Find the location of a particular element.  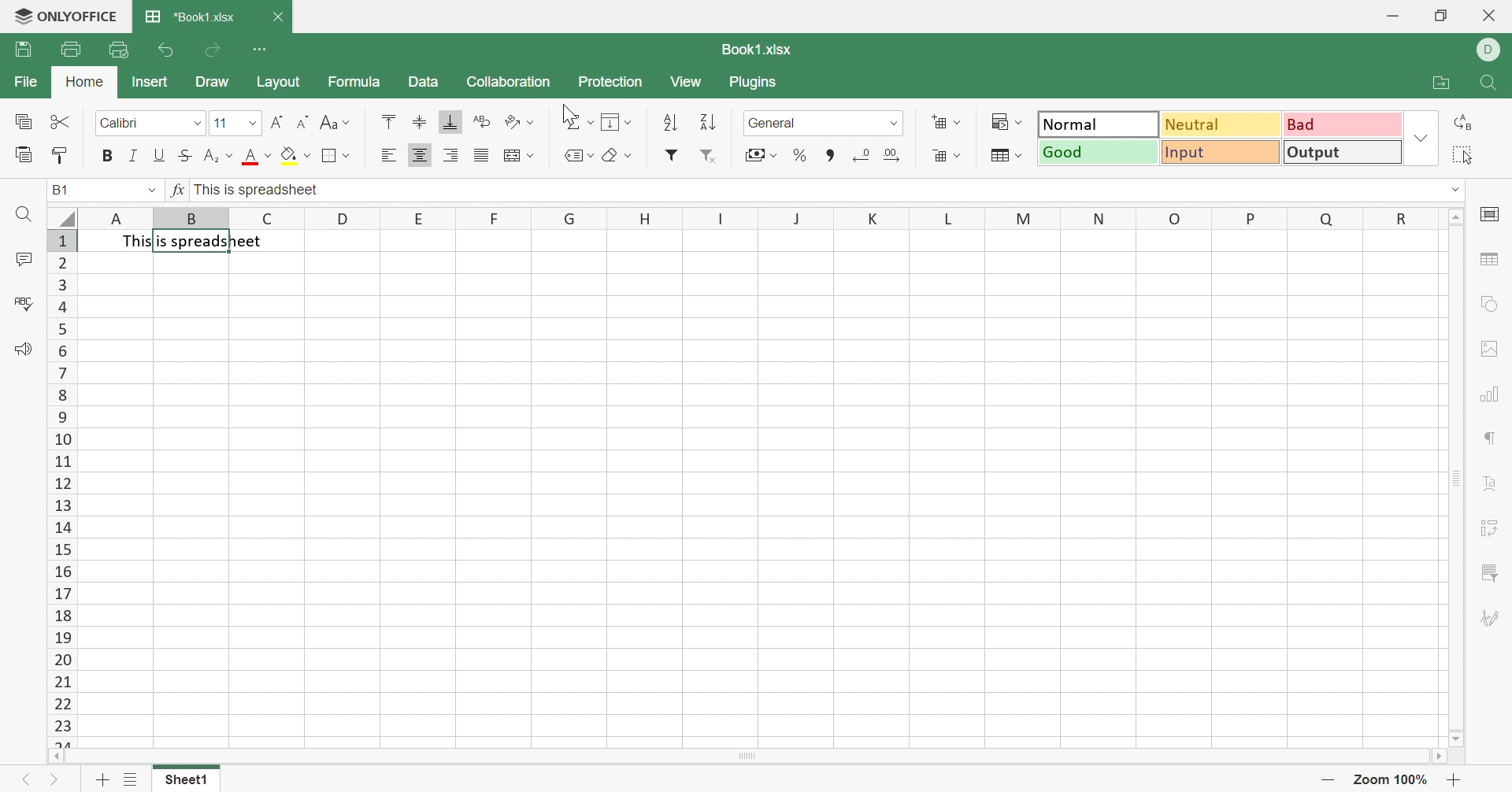

Feedback & Support is located at coordinates (24, 347).